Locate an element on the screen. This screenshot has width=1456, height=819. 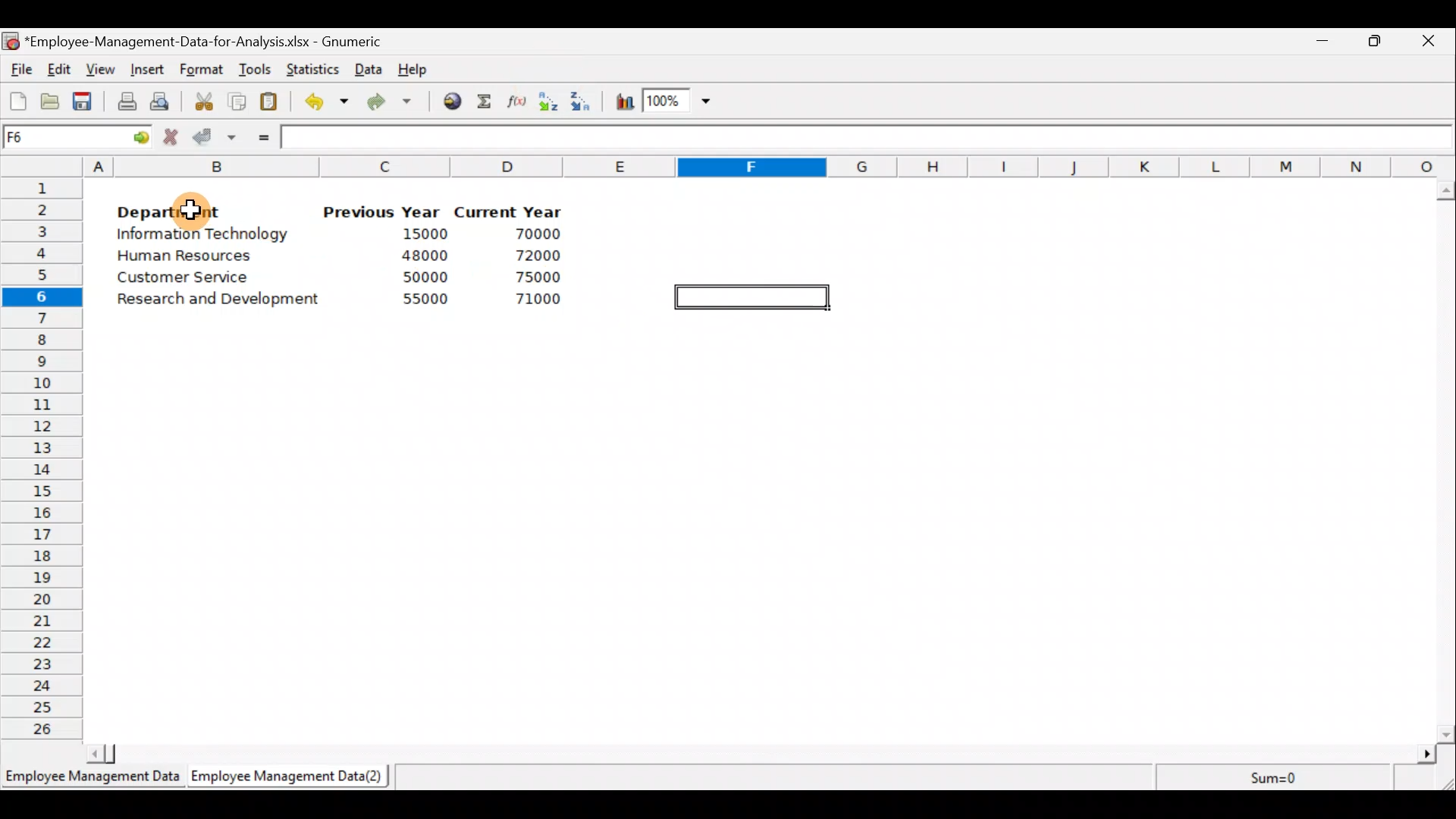
Formula bar is located at coordinates (868, 137).